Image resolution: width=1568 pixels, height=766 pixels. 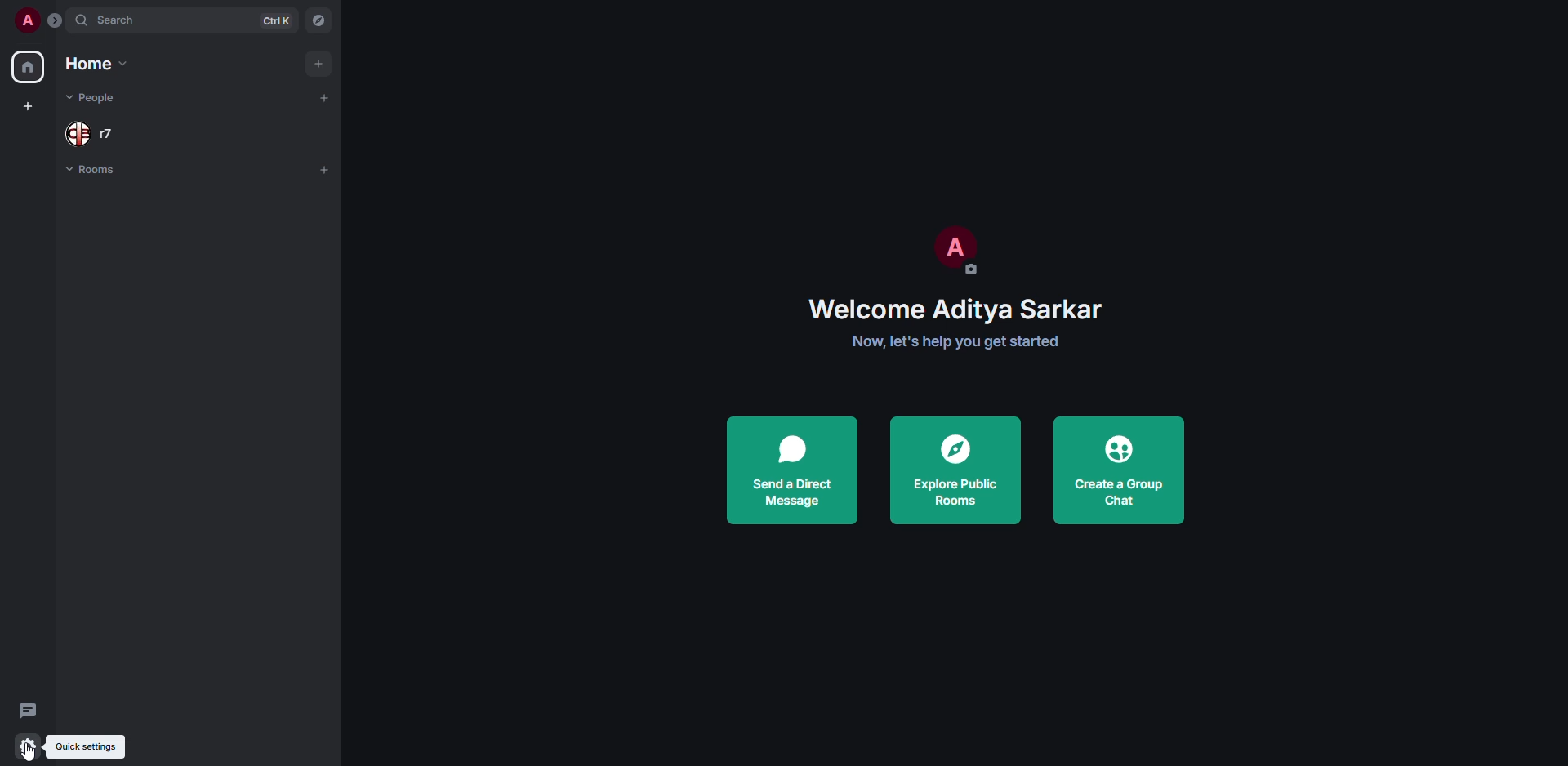 I want to click on expand, so click(x=56, y=19).